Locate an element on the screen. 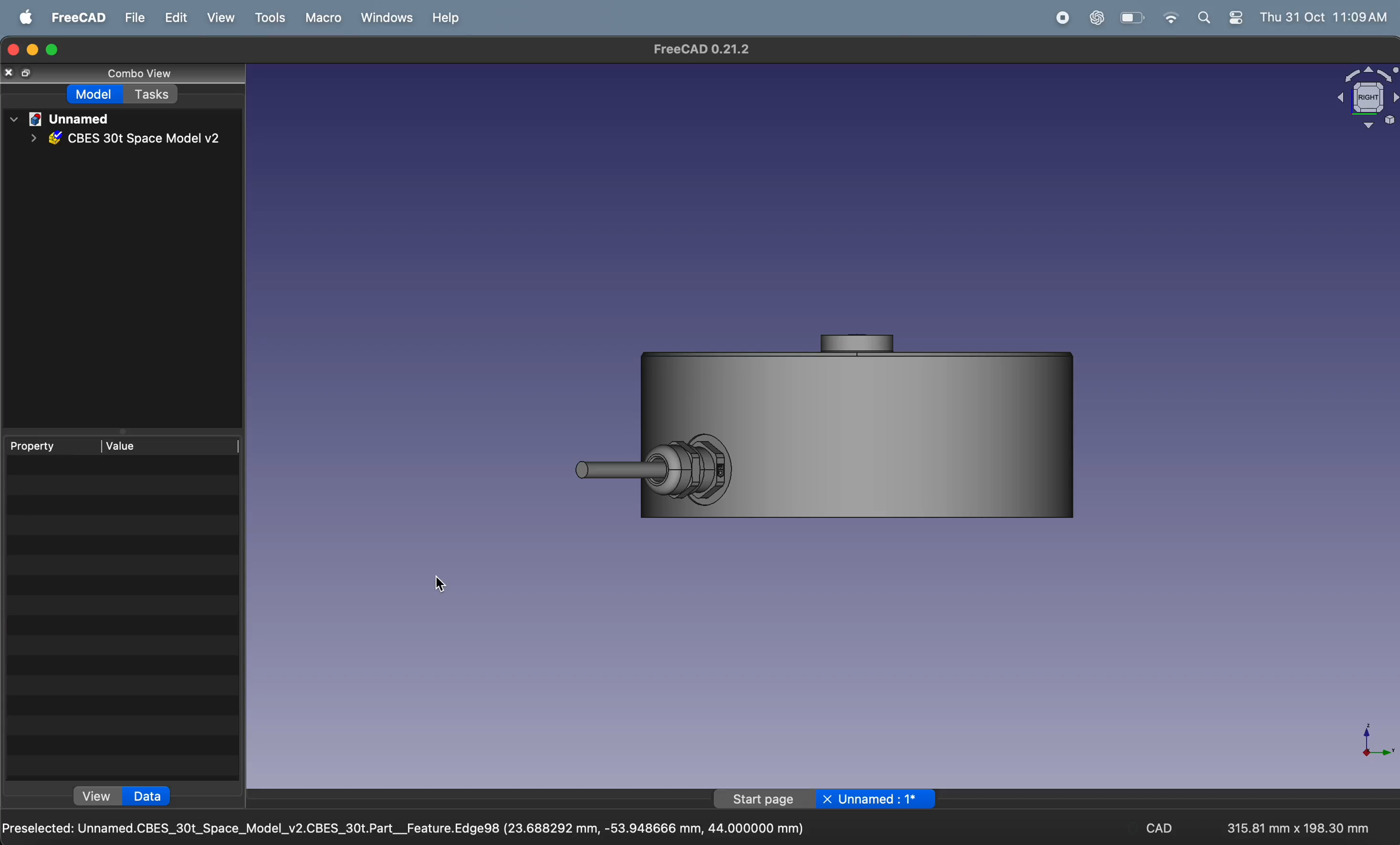  view is located at coordinates (95, 797).